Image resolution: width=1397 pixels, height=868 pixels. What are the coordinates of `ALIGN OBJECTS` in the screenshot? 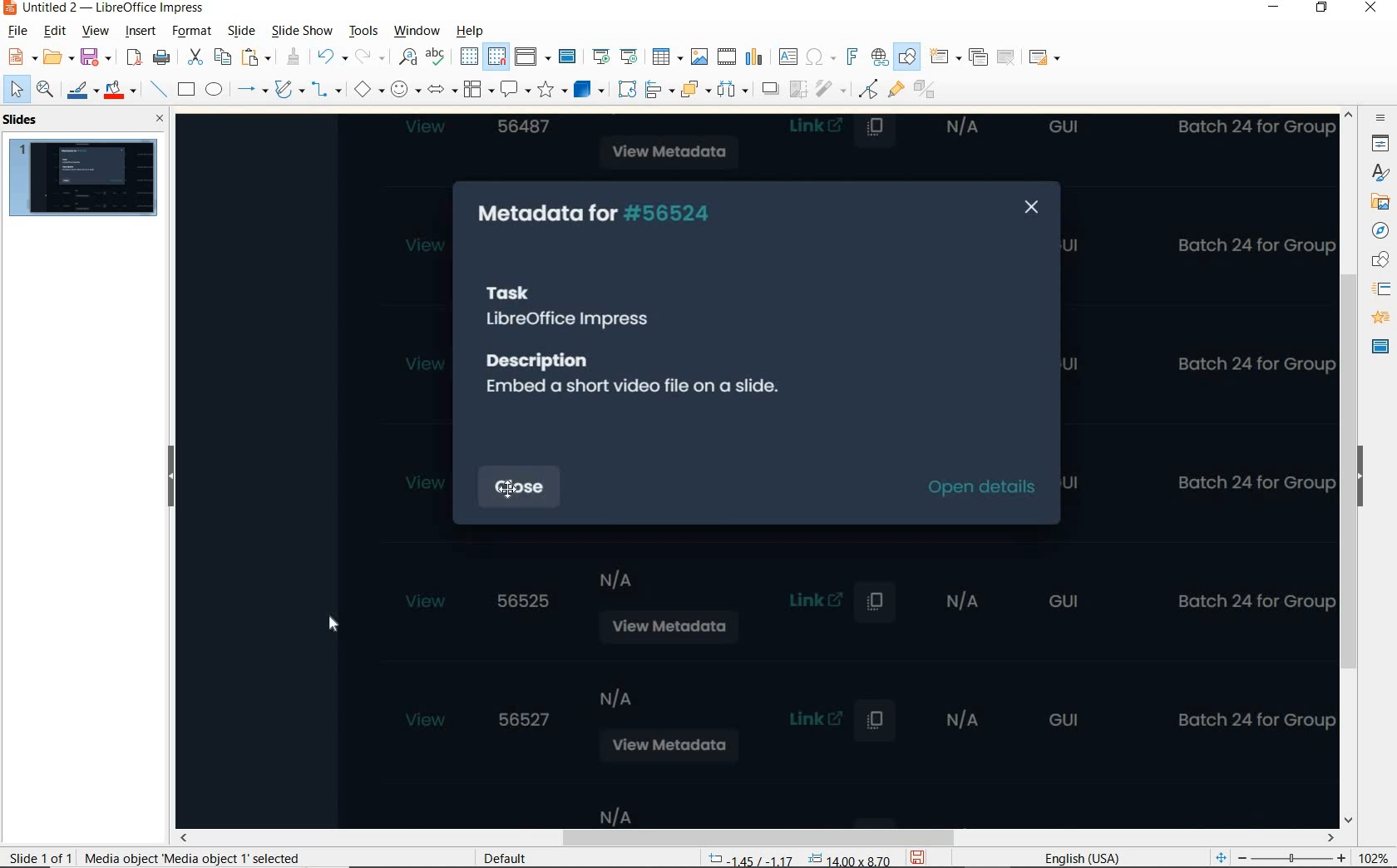 It's located at (659, 91).